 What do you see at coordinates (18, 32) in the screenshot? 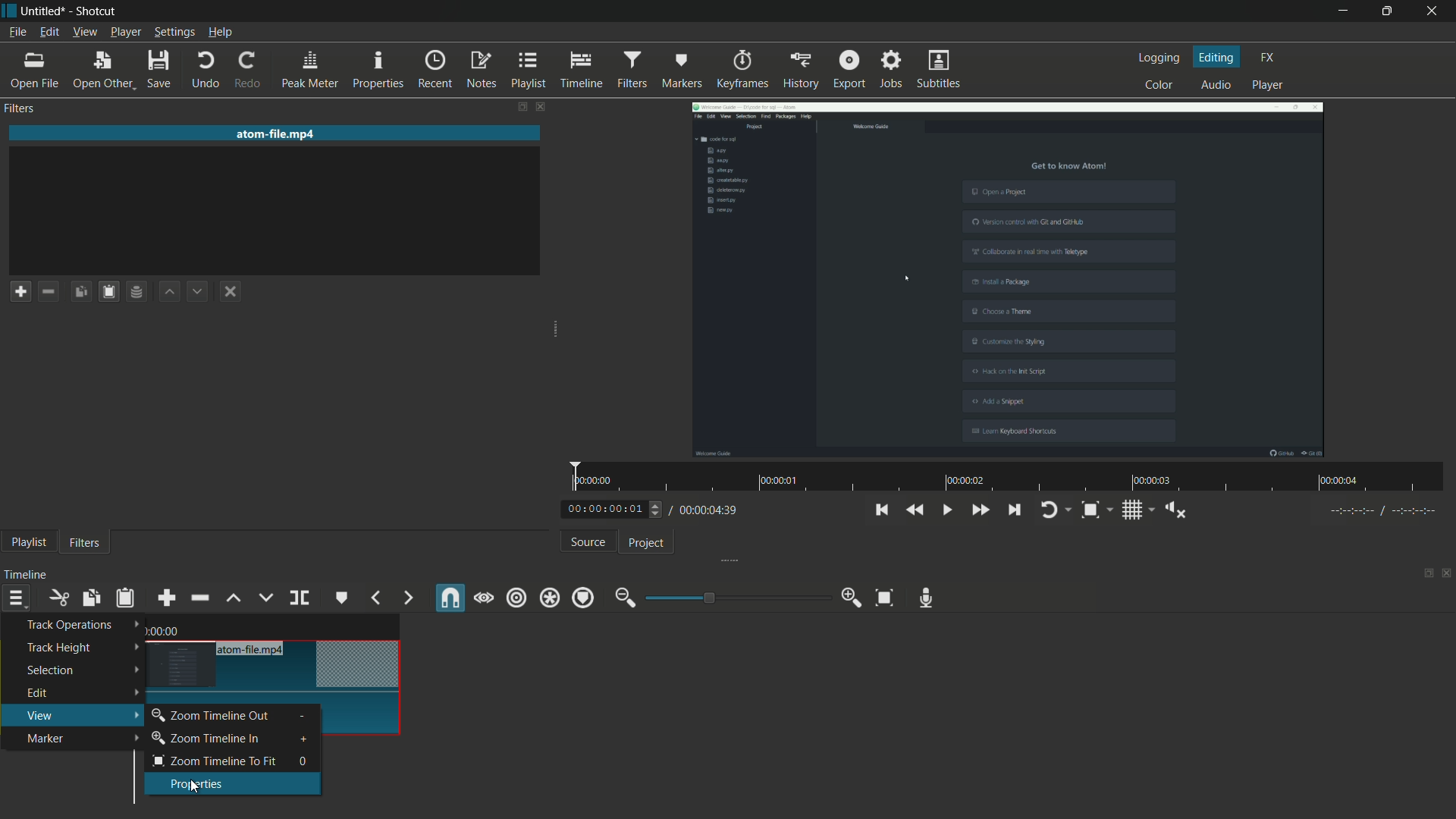
I see `file menu` at bounding box center [18, 32].